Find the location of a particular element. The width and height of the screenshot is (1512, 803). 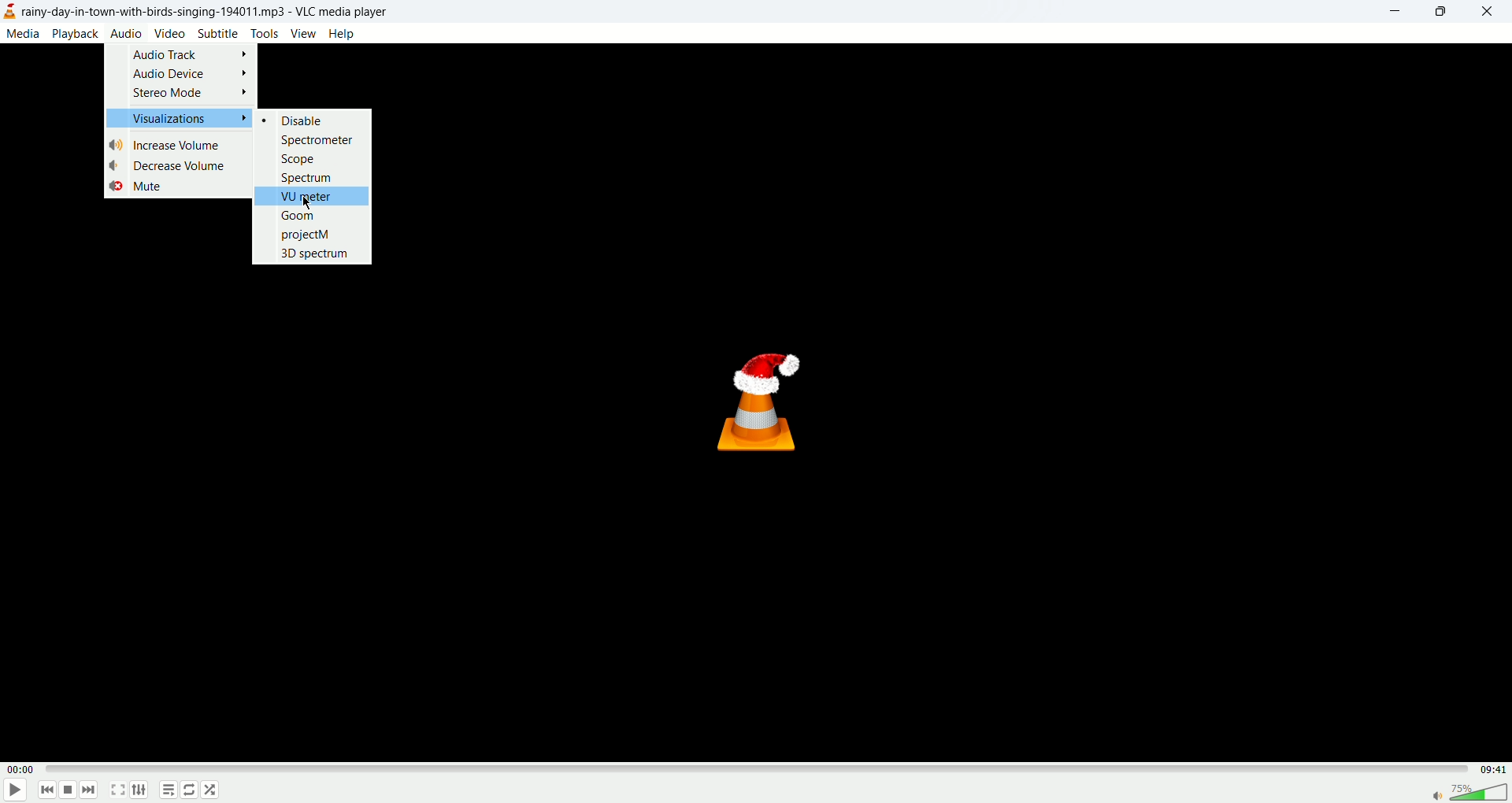

extended settings is located at coordinates (142, 790).